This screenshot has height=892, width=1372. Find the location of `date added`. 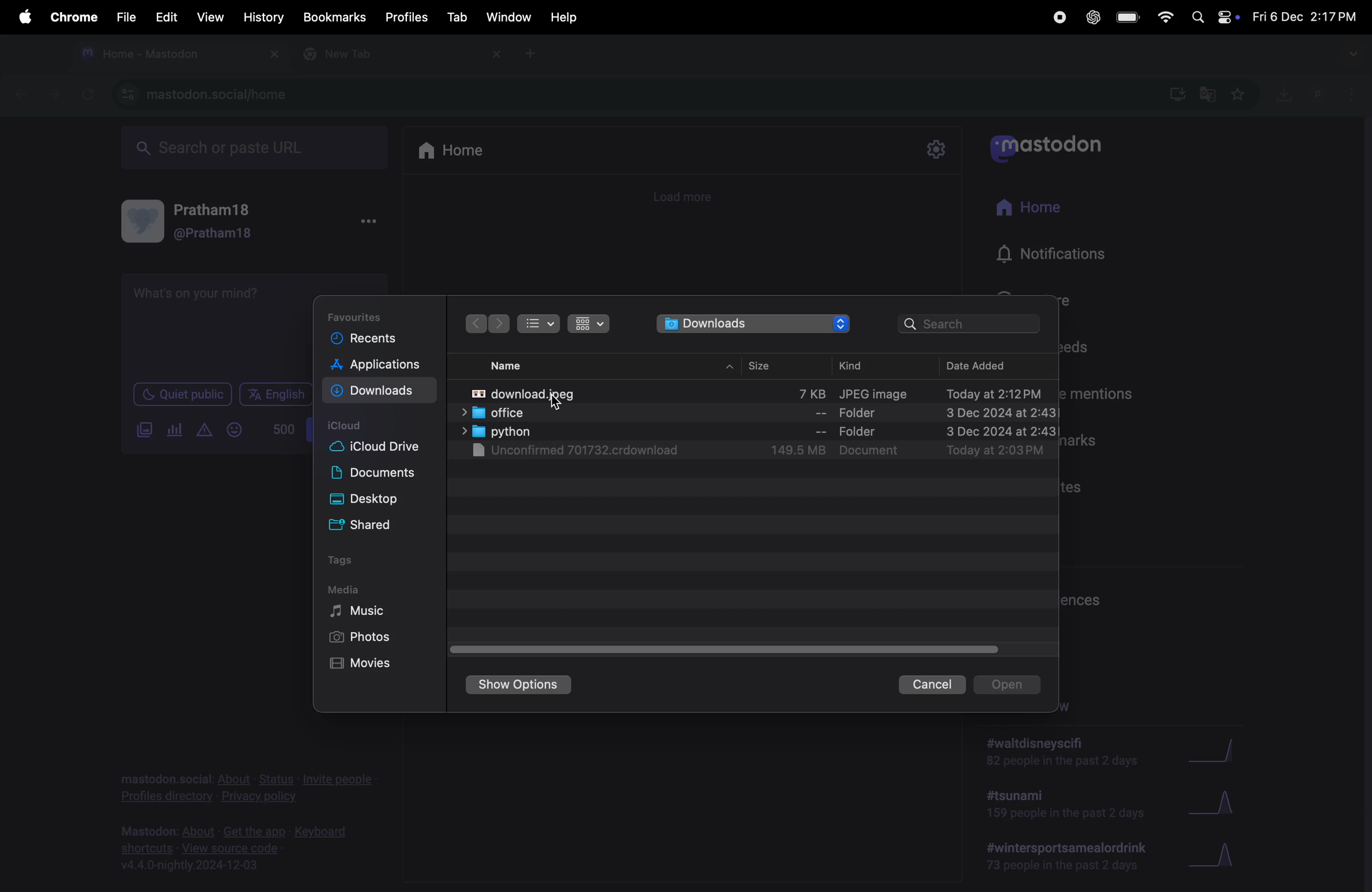

date added is located at coordinates (973, 366).